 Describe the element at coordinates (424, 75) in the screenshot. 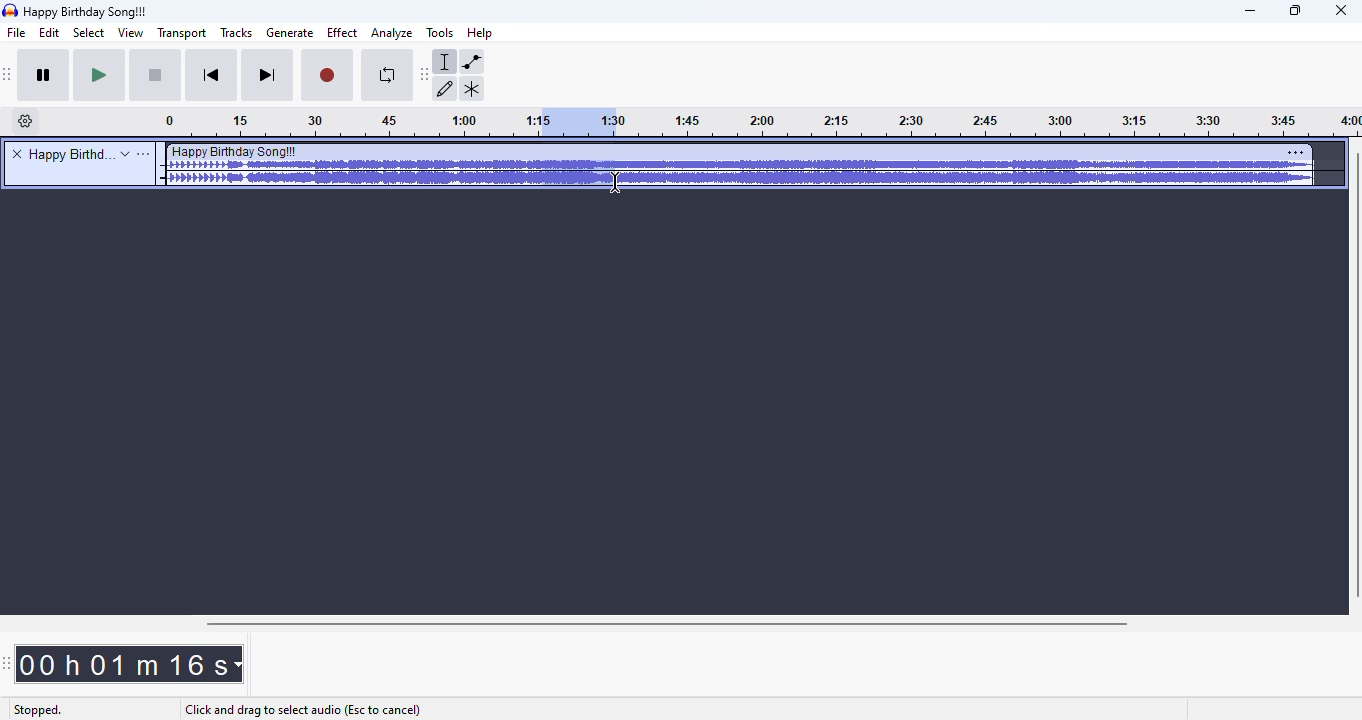

I see `audacity tools toolbar` at that location.